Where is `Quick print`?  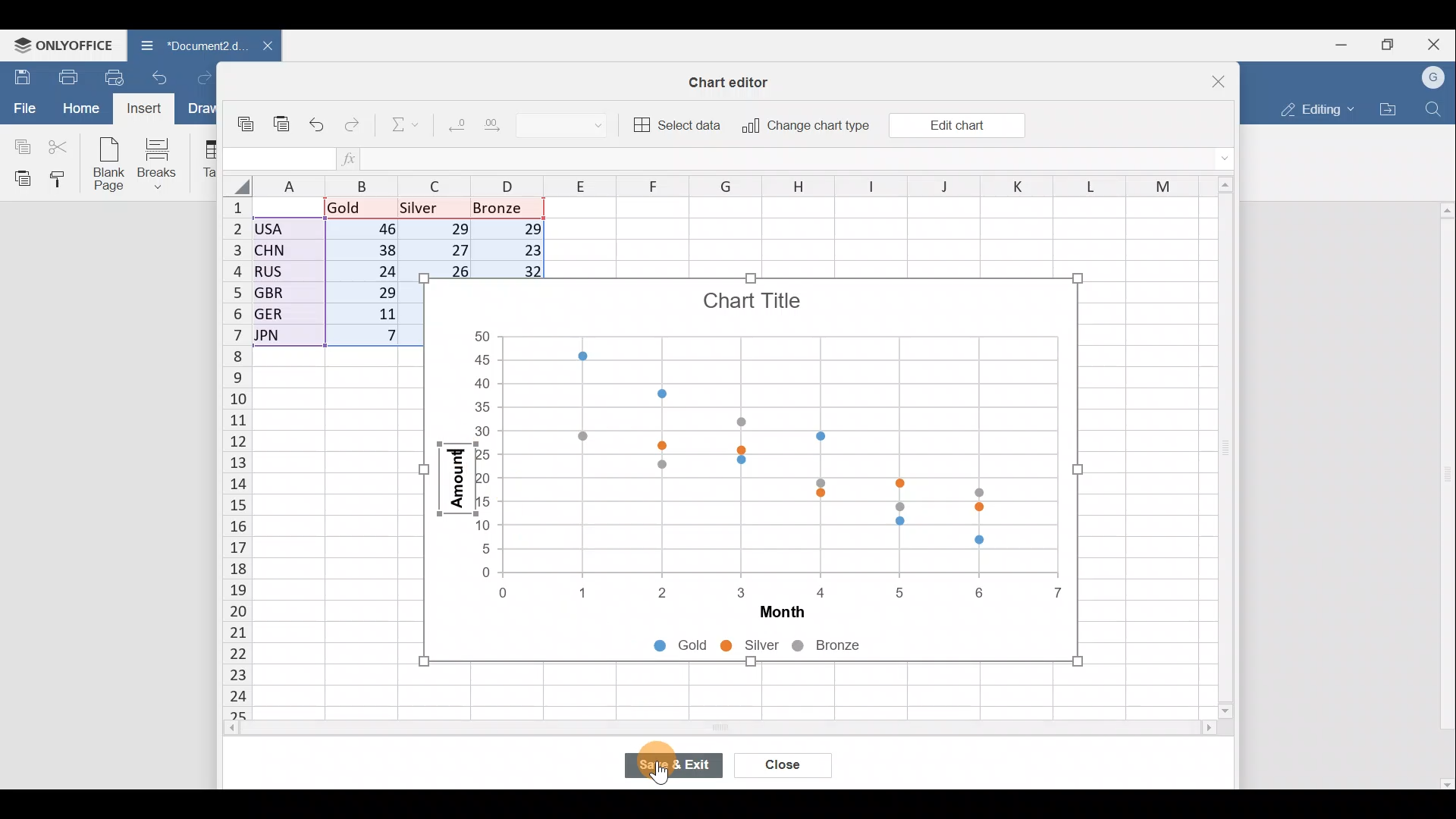 Quick print is located at coordinates (115, 77).